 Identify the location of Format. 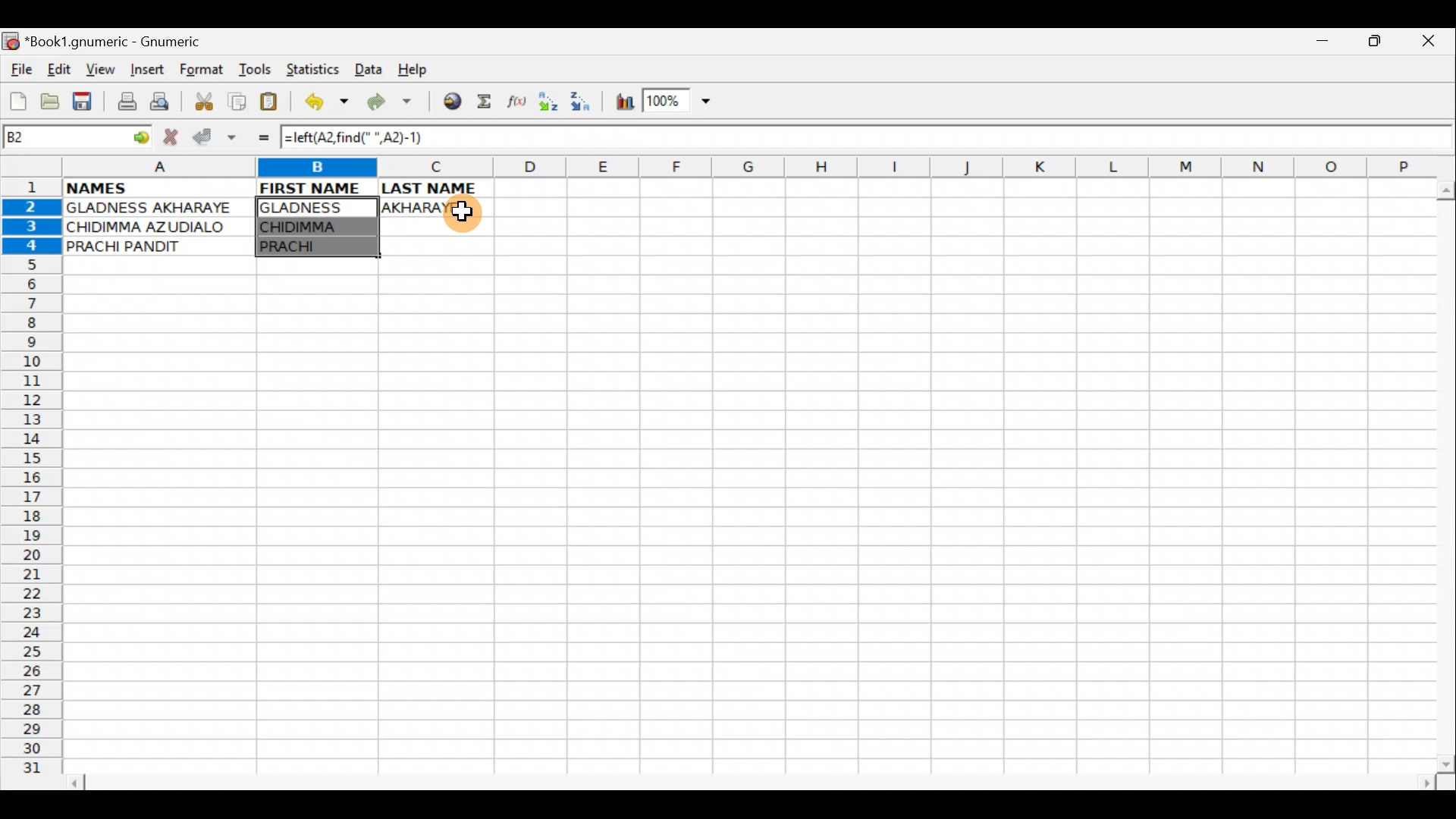
(205, 71).